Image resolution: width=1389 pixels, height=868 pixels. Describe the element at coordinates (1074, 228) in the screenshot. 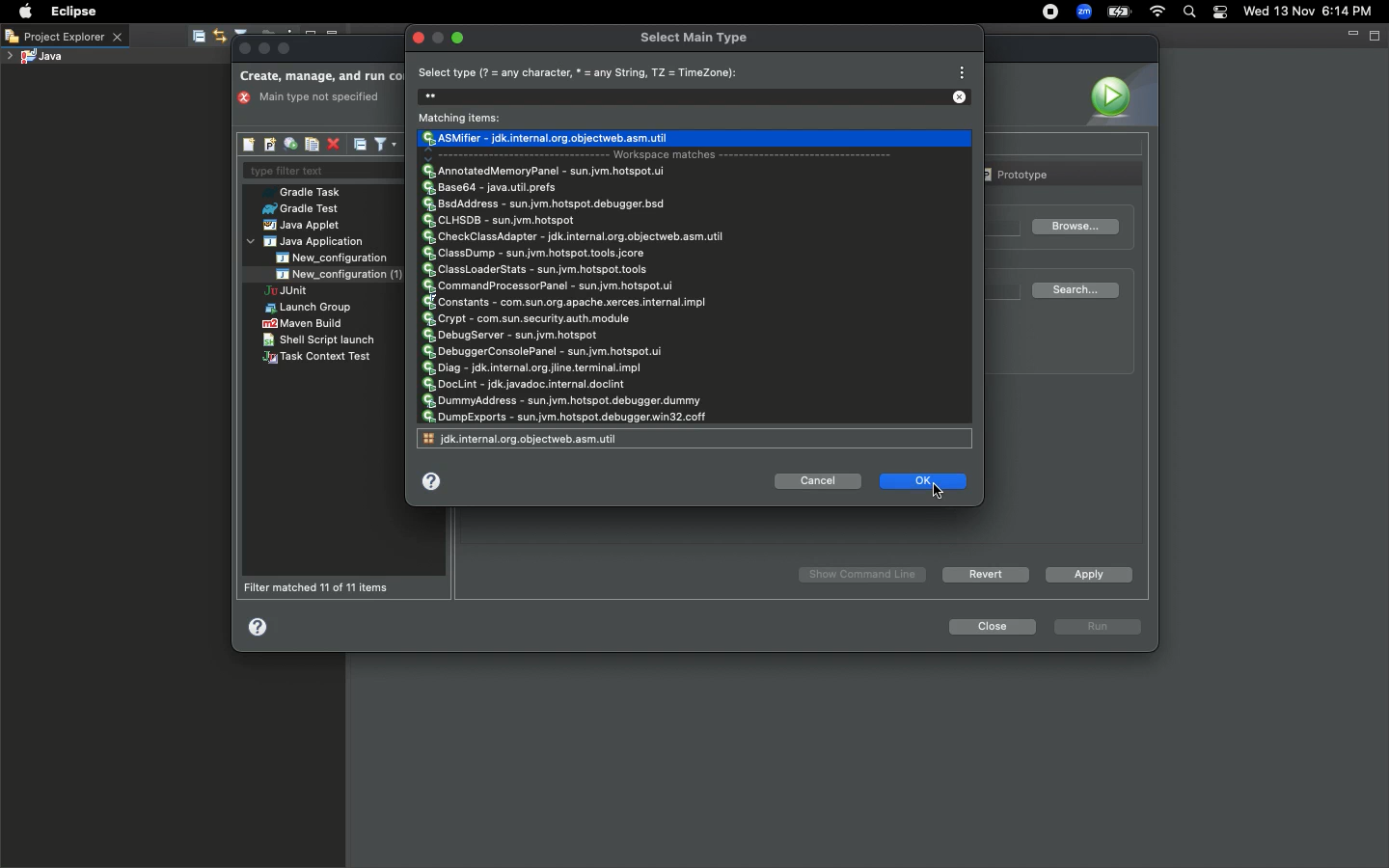

I see `Browse` at that location.